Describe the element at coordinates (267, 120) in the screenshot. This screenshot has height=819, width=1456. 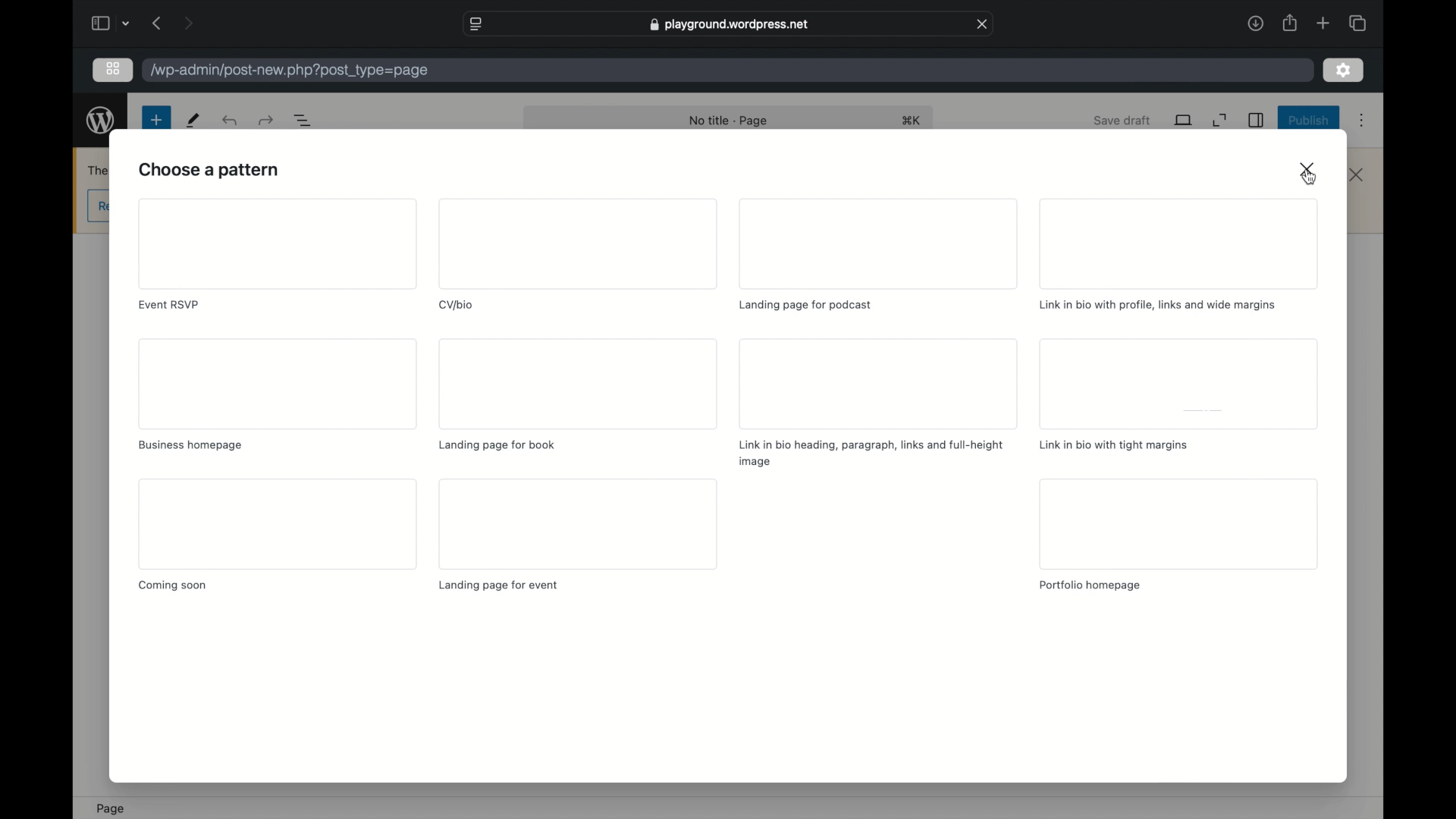
I see `undo` at that location.